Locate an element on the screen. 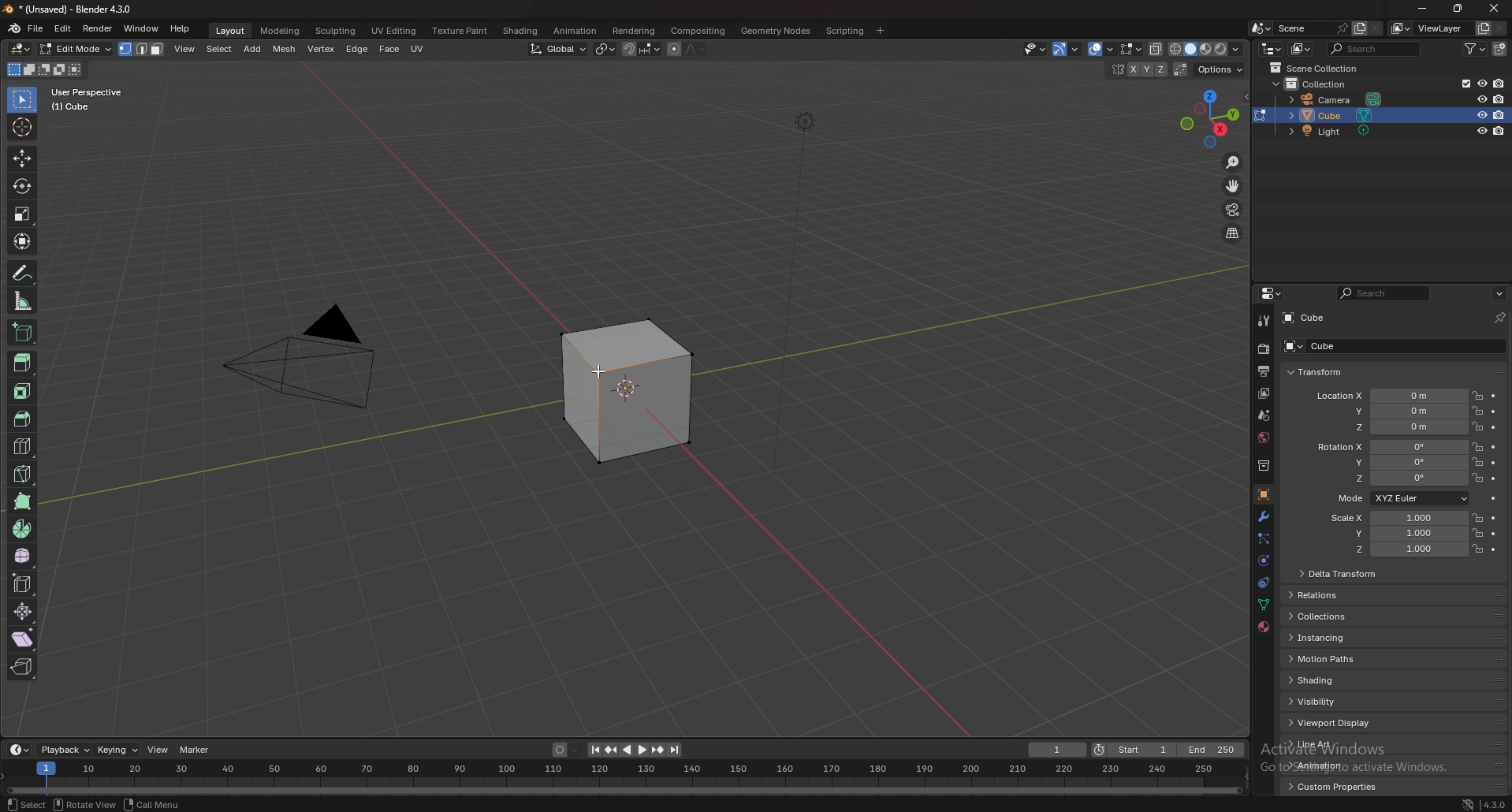 The height and width of the screenshot is (812, 1512). help is located at coordinates (181, 28).